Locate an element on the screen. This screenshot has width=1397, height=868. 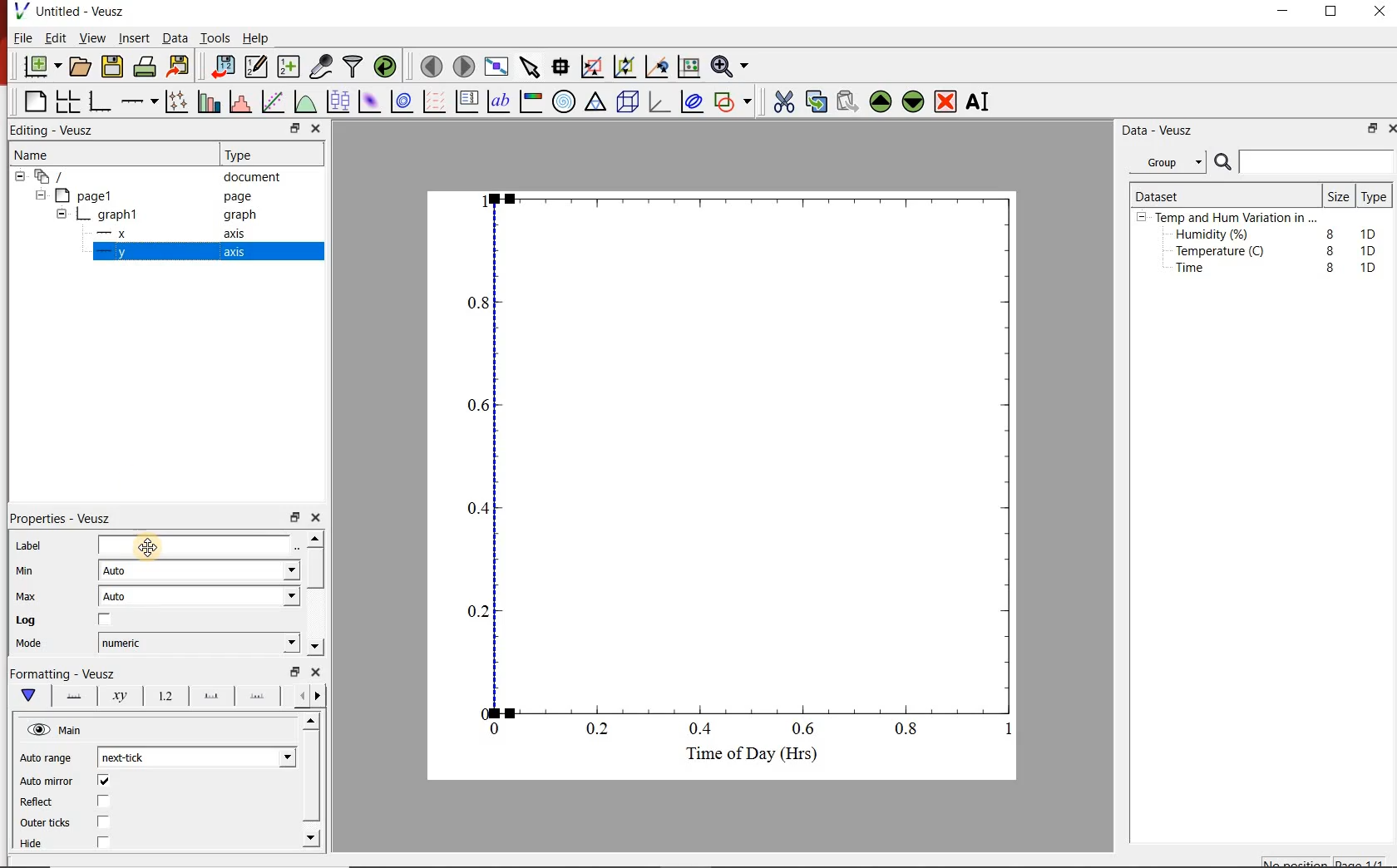
Remove the selected widget is located at coordinates (947, 101).